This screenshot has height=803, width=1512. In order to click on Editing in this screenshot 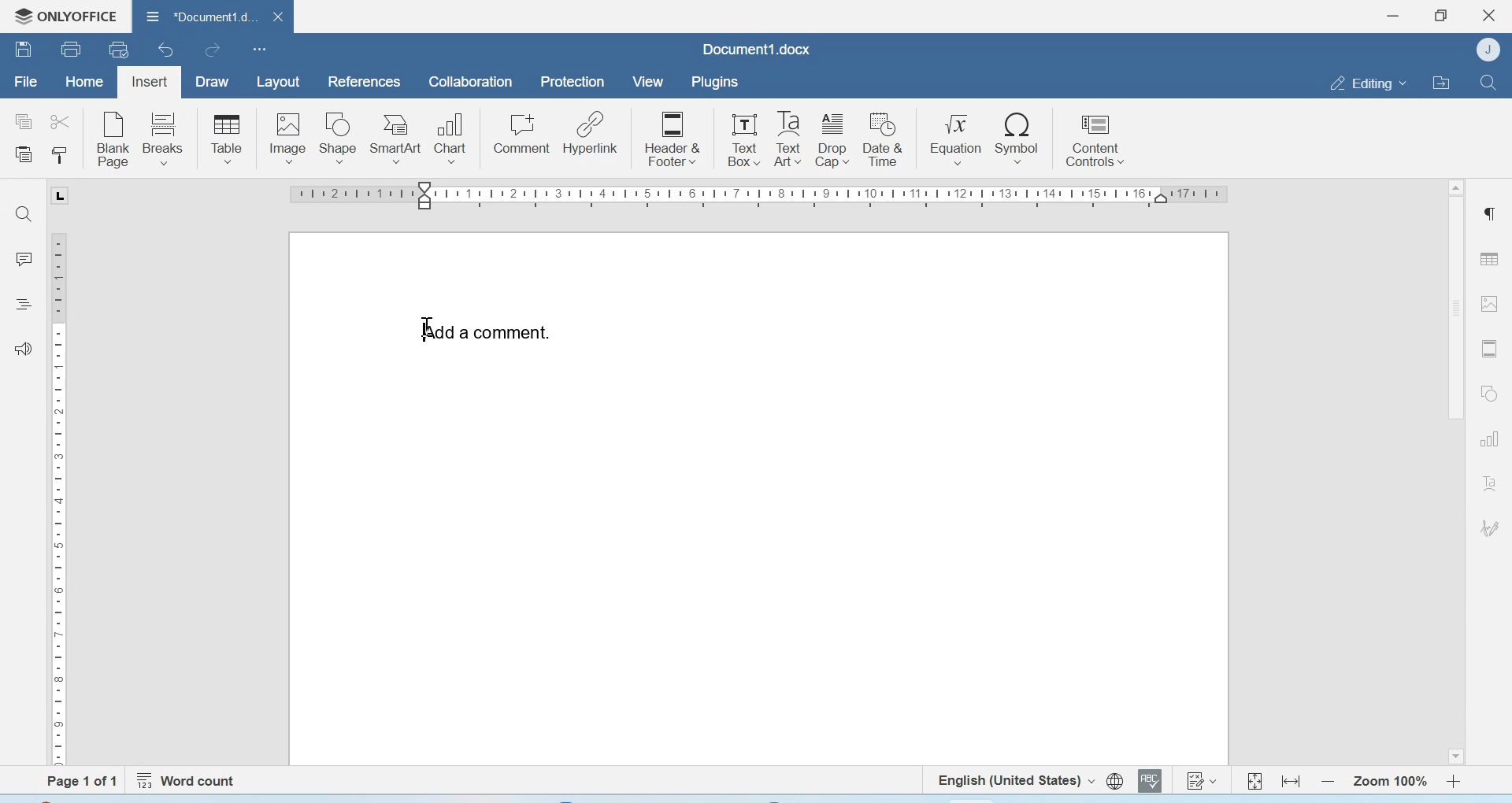, I will do `click(1367, 83)`.